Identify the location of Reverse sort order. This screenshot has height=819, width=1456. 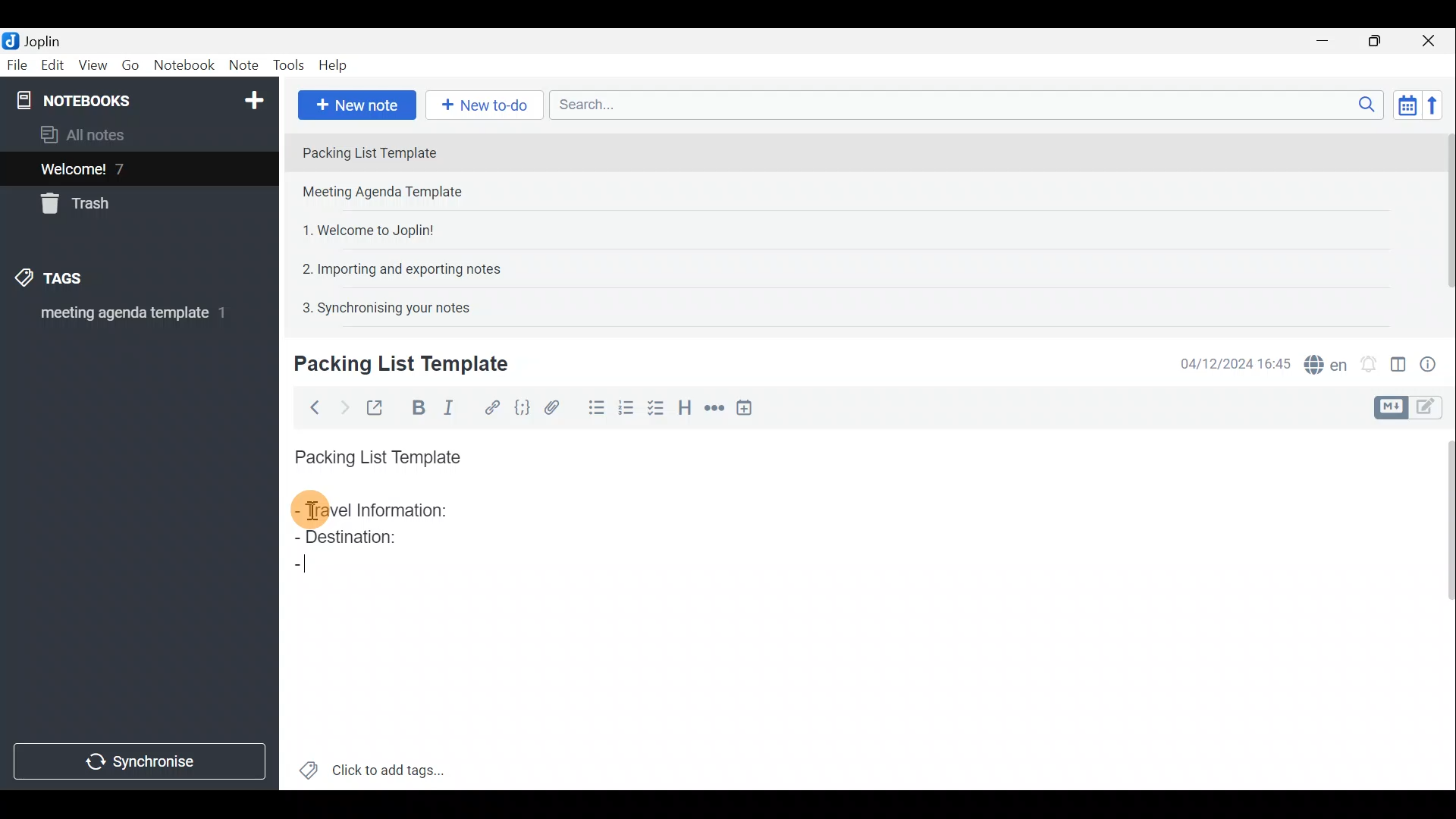
(1438, 104).